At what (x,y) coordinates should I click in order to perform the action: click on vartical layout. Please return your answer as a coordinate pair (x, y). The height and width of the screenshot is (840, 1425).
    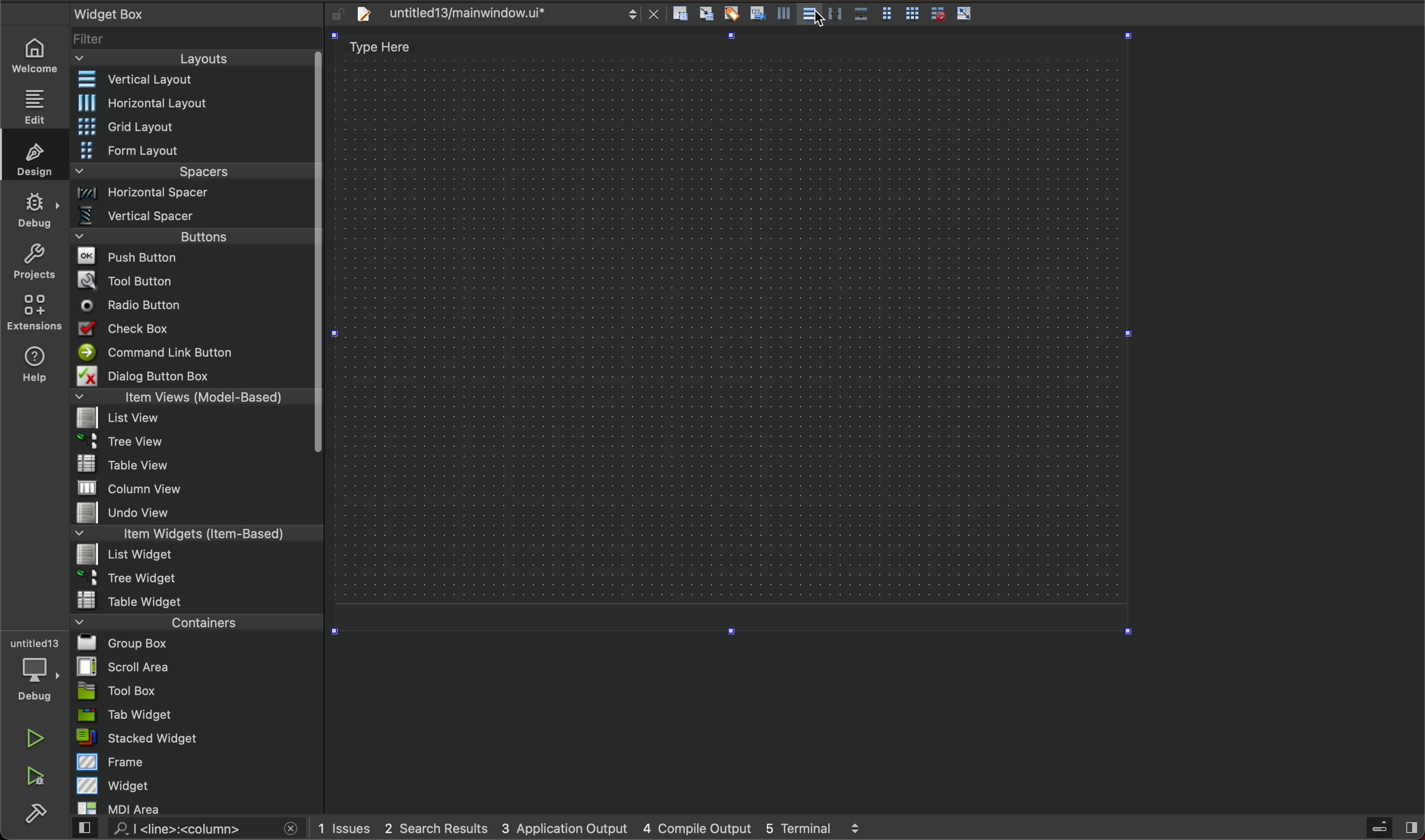
    Looking at the image, I should click on (782, 17).